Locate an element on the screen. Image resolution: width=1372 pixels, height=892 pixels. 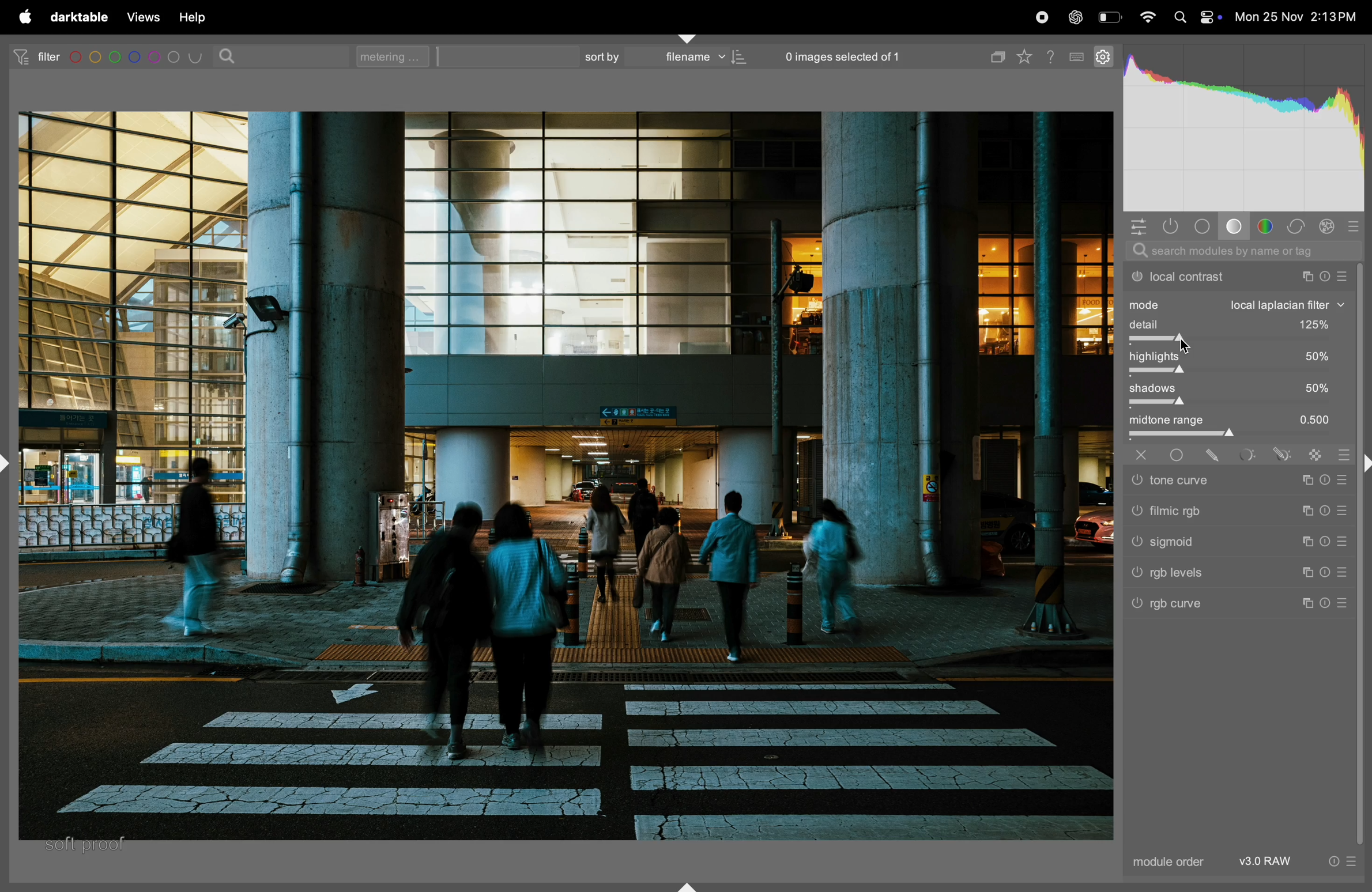
preset is located at coordinates (1343, 509).